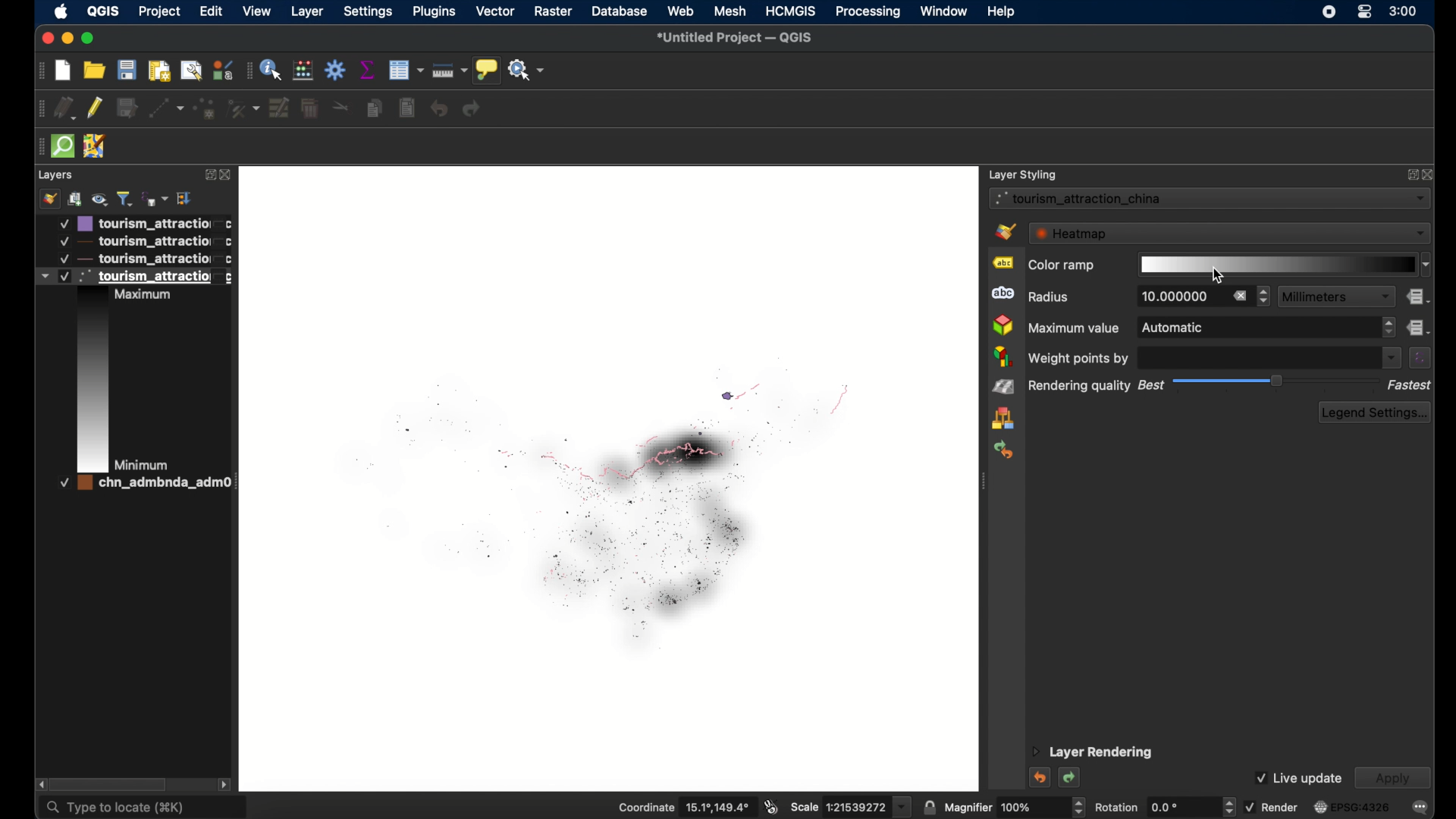 Image resolution: width=1456 pixels, height=819 pixels. What do you see at coordinates (61, 11) in the screenshot?
I see `apple icon` at bounding box center [61, 11].